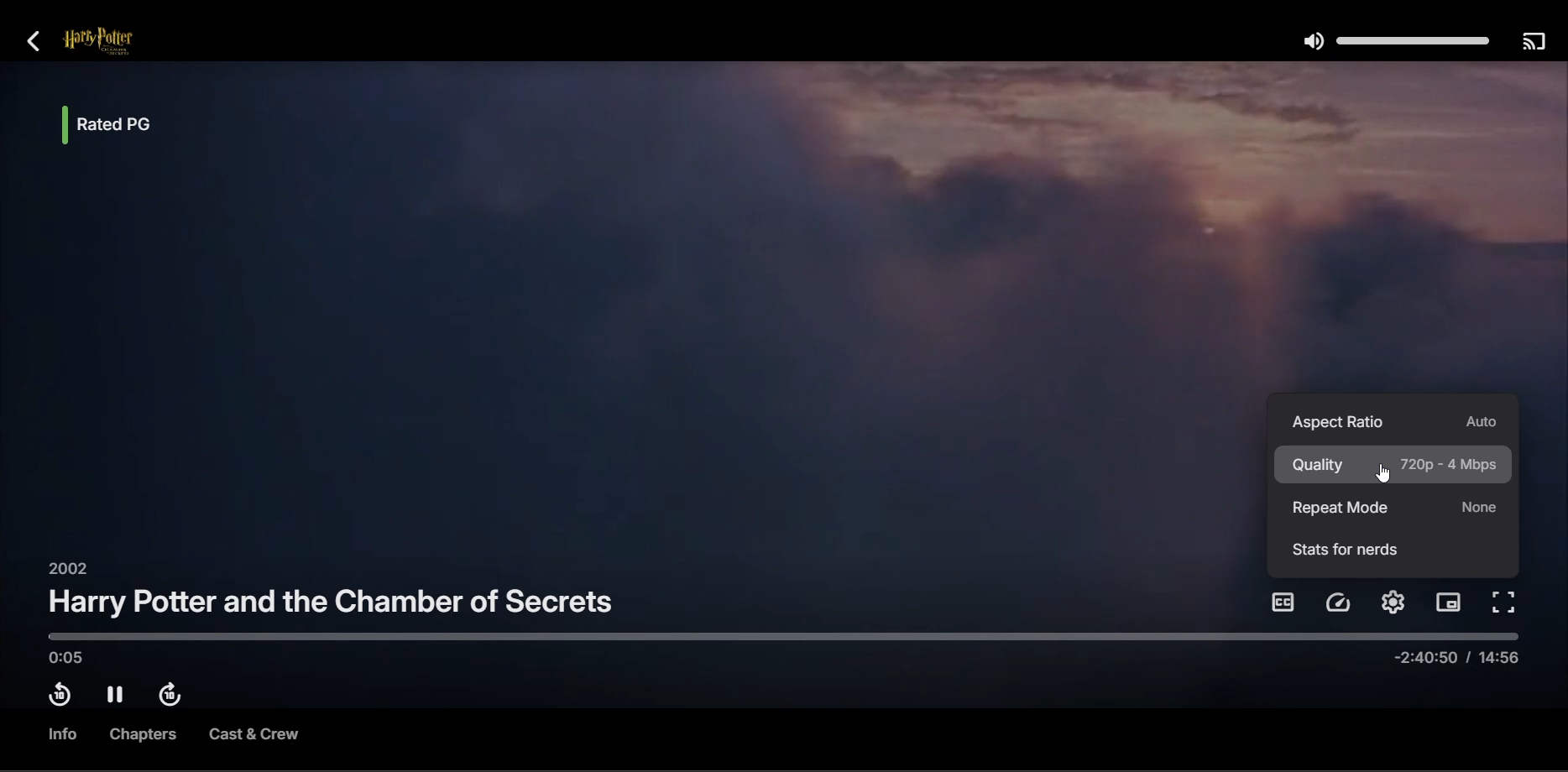 The image size is (1568, 772). I want to click on Aspect Ratio, so click(1394, 420).